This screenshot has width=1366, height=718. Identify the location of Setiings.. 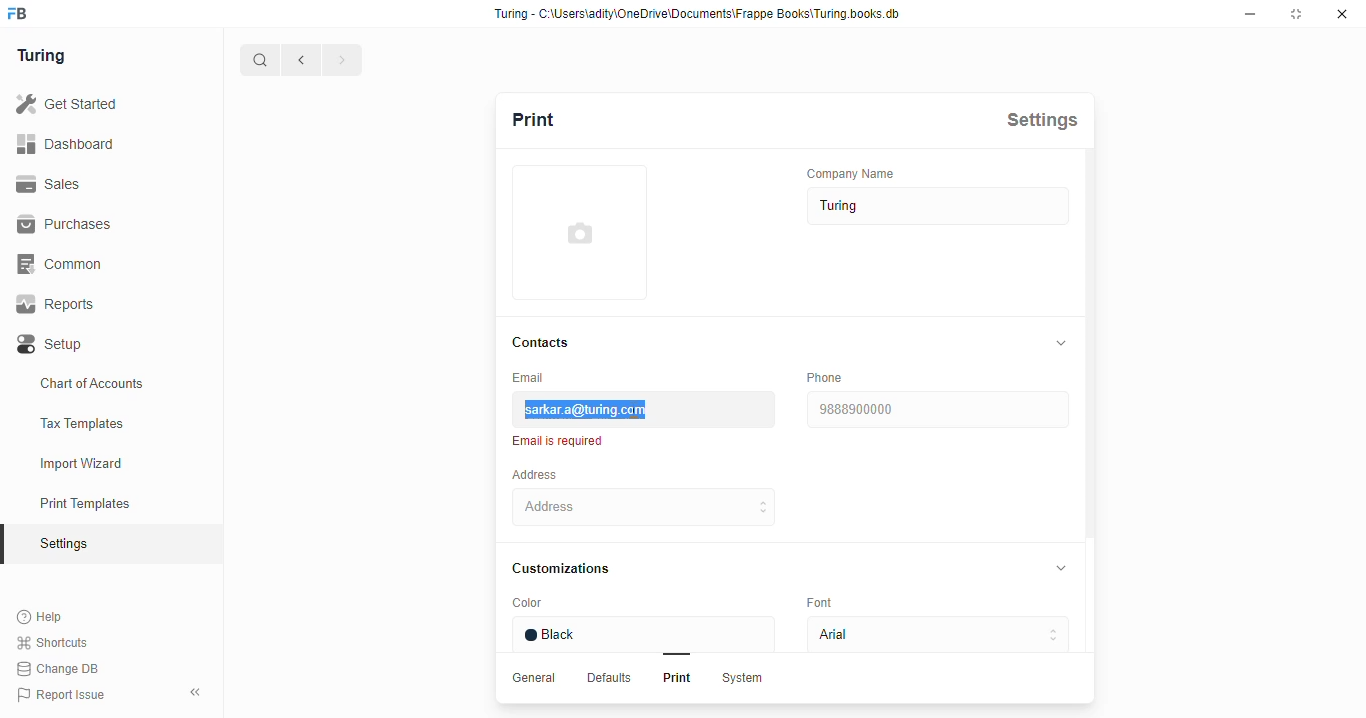
(111, 544).